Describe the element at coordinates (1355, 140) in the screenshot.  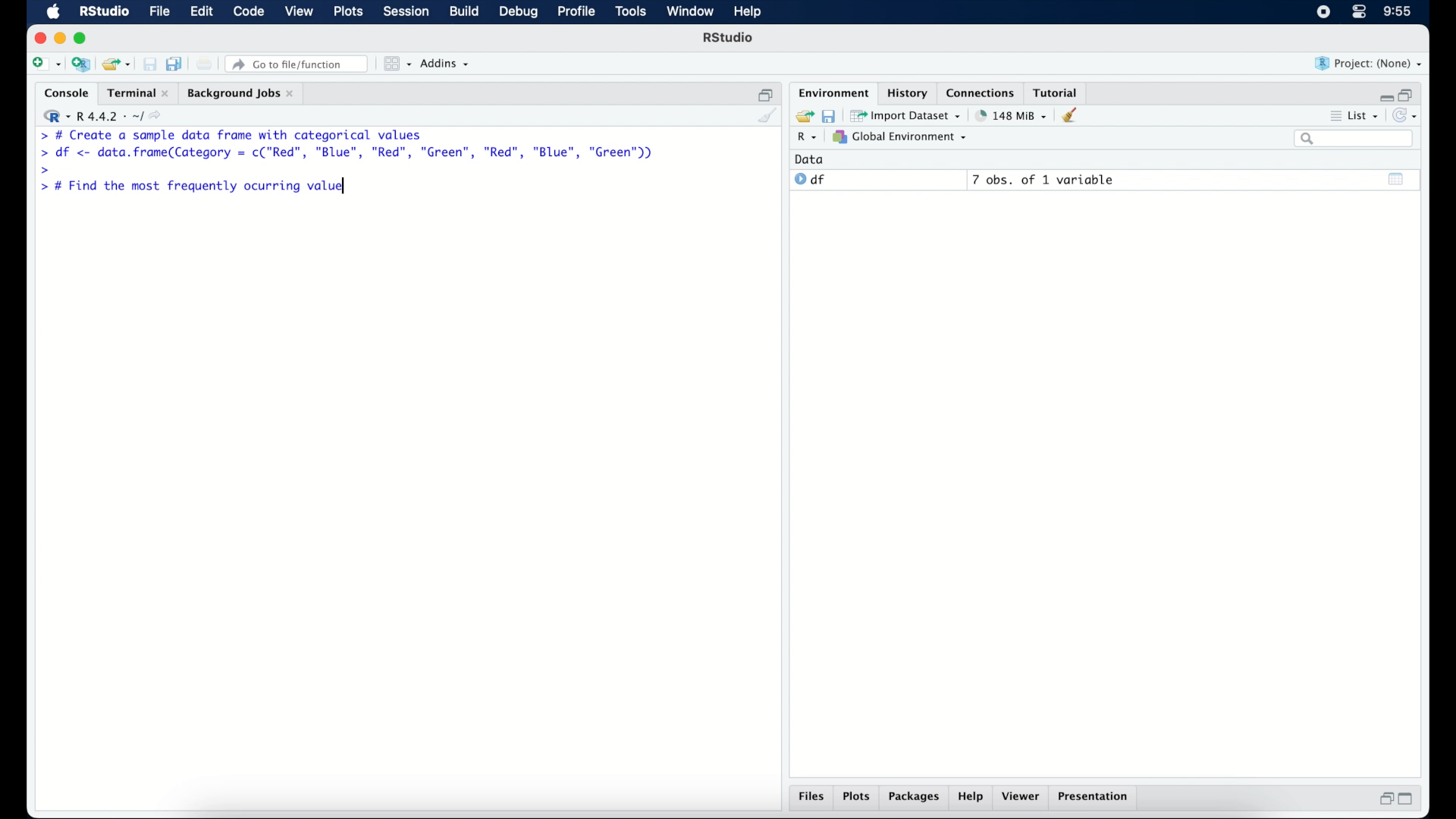
I see `search bar` at that location.